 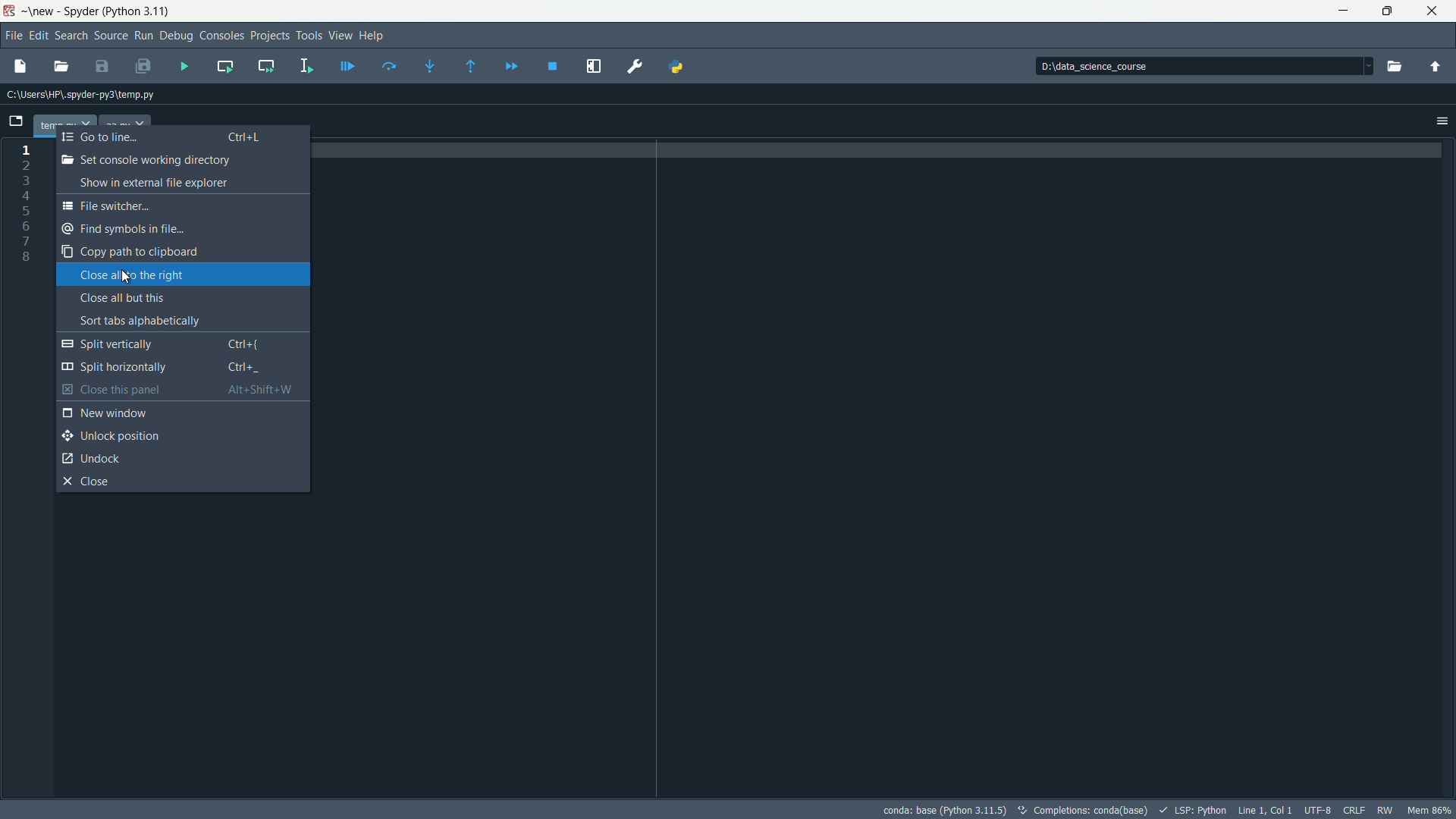 I want to click on set console working directory, so click(x=146, y=160).